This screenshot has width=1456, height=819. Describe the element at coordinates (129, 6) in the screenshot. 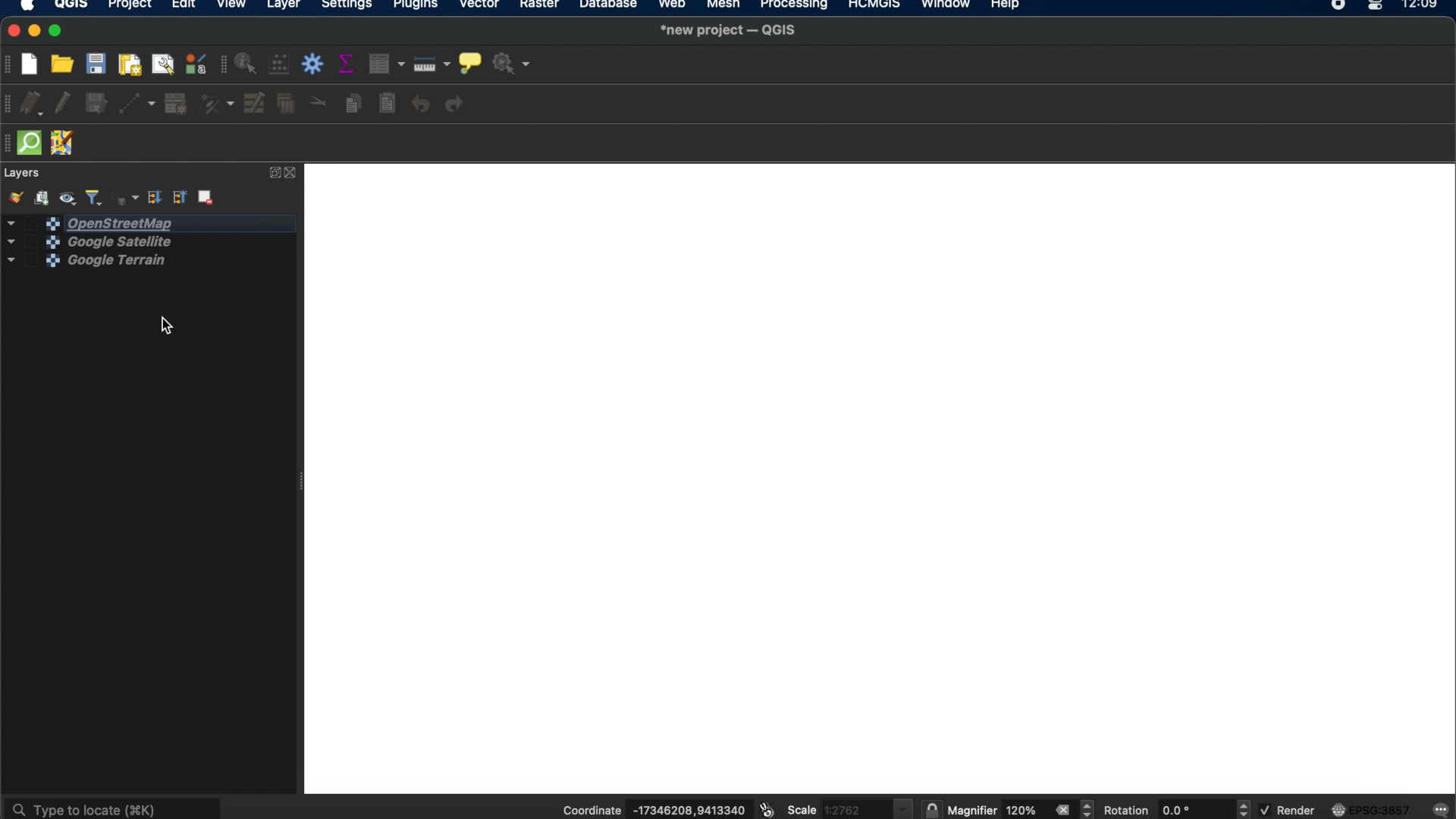

I see `project` at that location.